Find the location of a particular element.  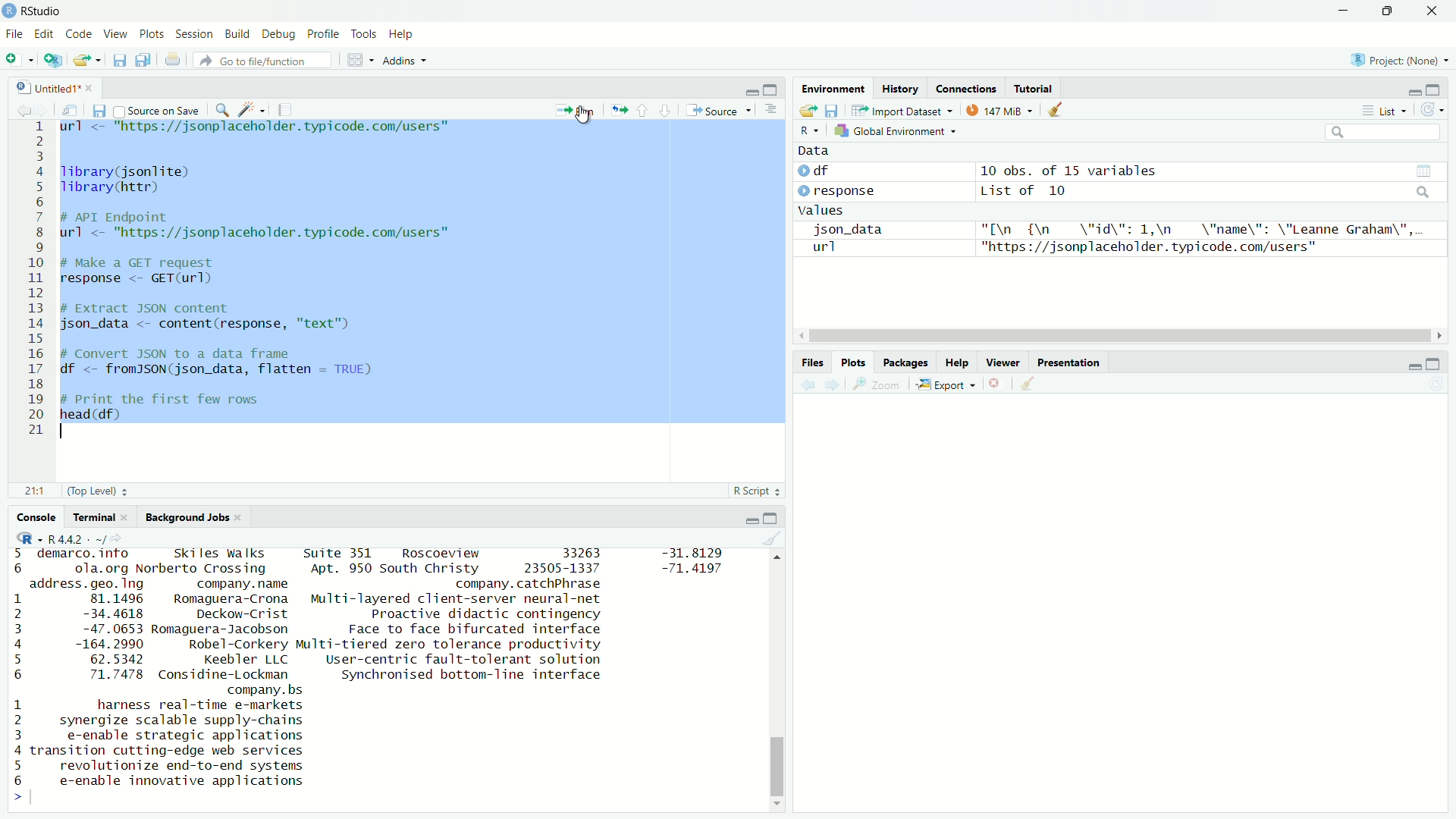

21:1 is located at coordinates (38, 491).